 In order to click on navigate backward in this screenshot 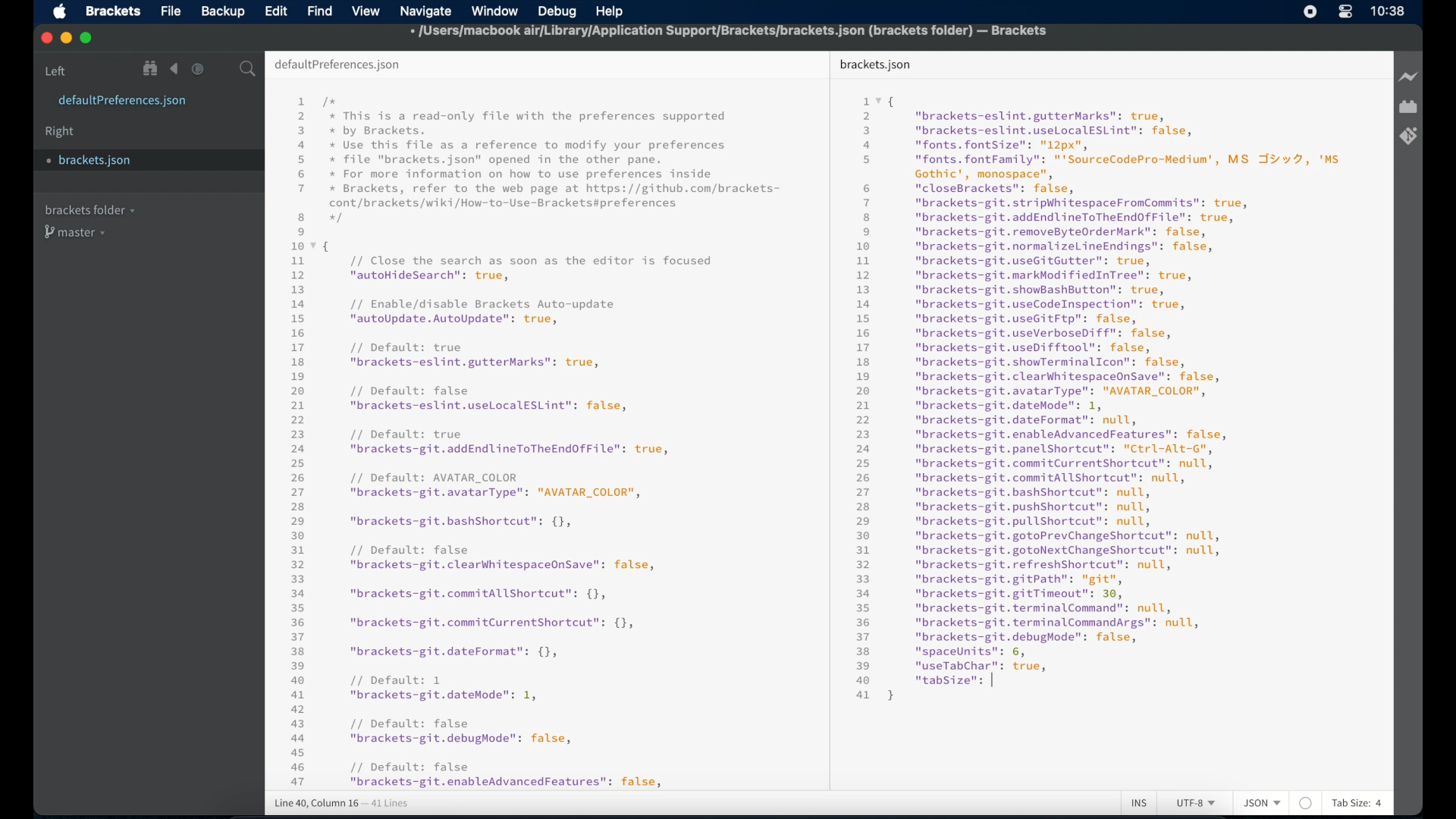, I will do `click(174, 69)`.